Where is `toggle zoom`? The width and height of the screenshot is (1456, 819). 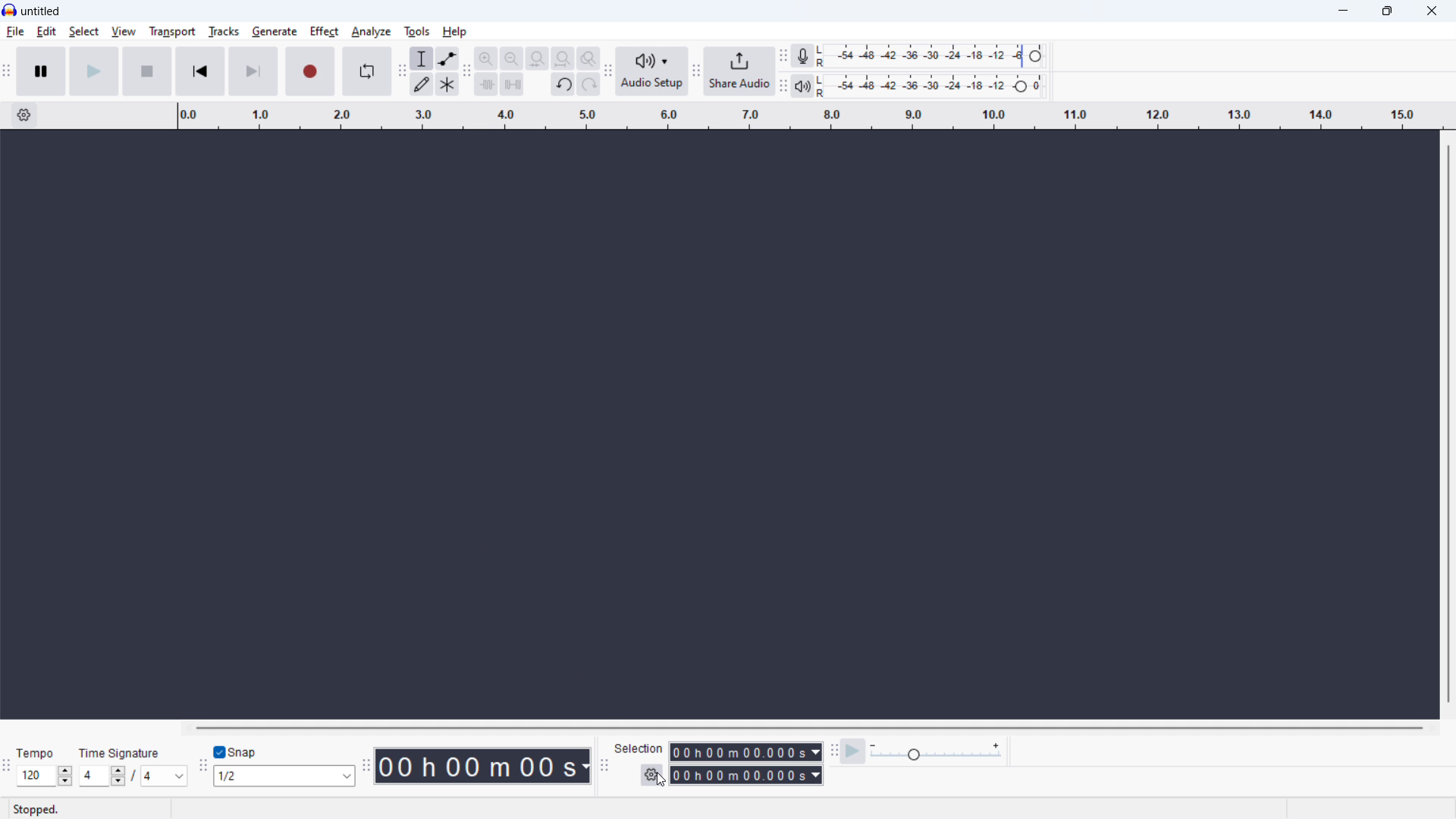
toggle zoom is located at coordinates (589, 58).